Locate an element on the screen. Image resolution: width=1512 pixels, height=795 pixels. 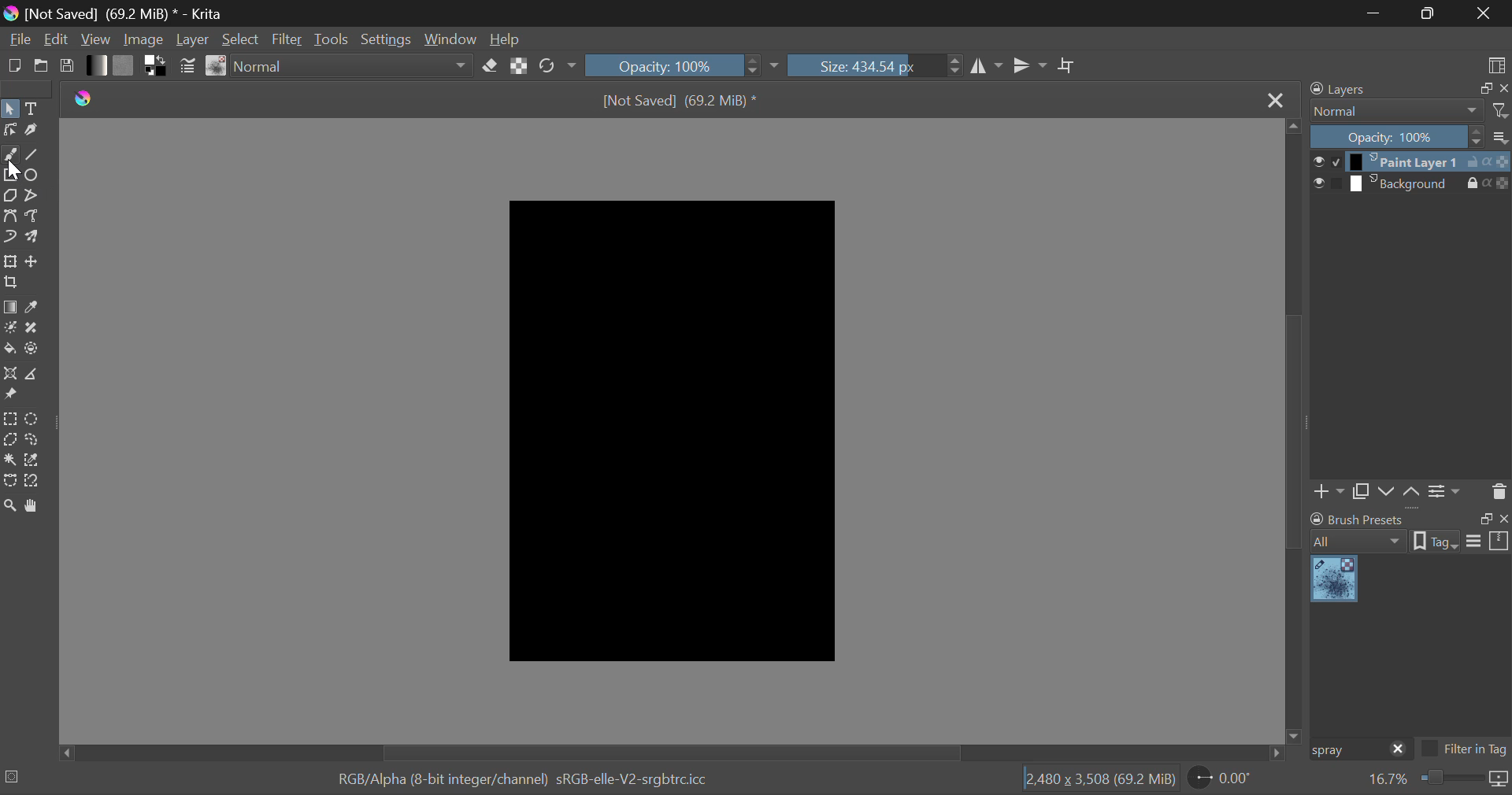
icon is located at coordinates (1499, 780).